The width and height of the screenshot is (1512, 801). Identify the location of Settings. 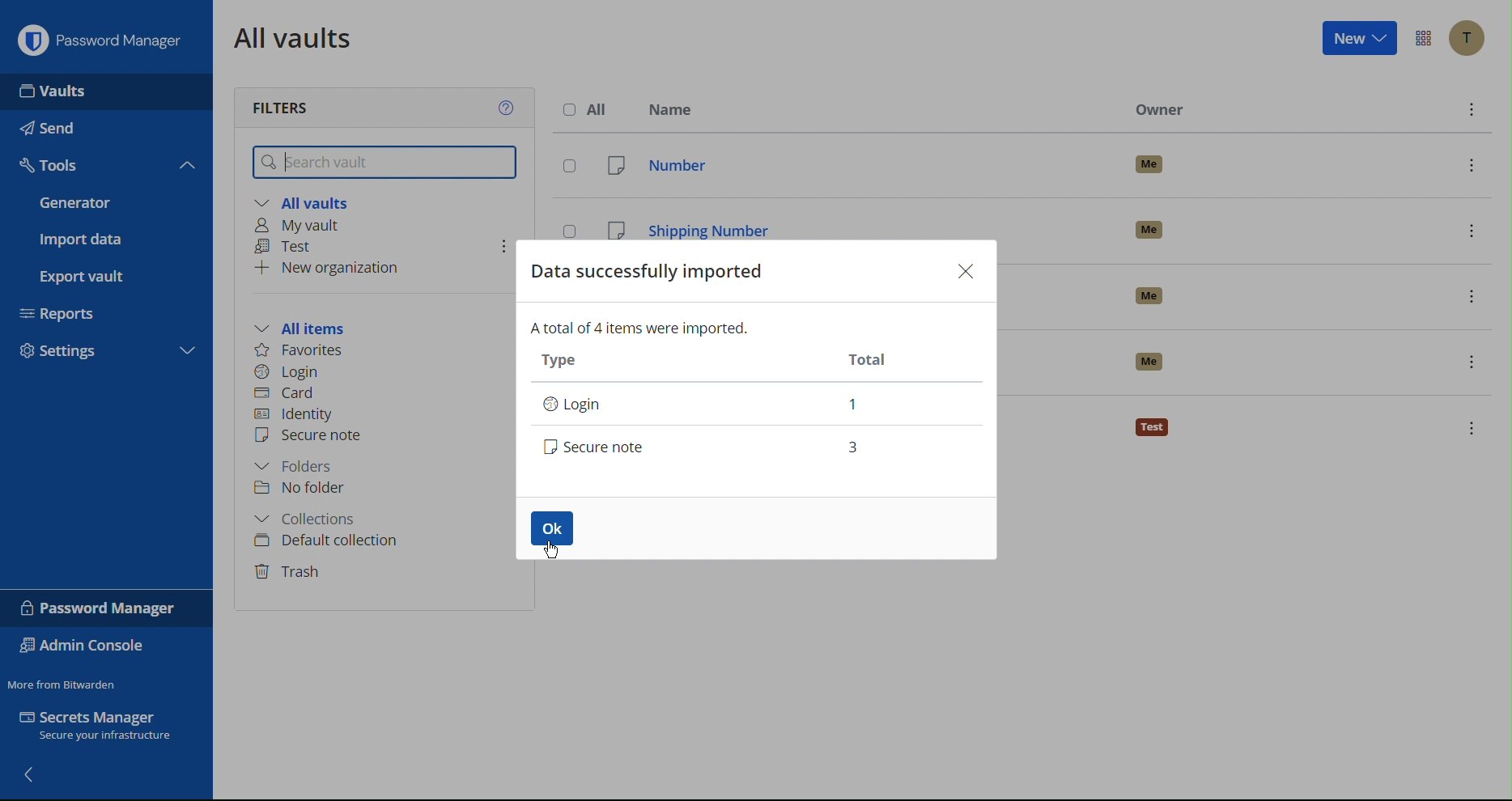
(87, 354).